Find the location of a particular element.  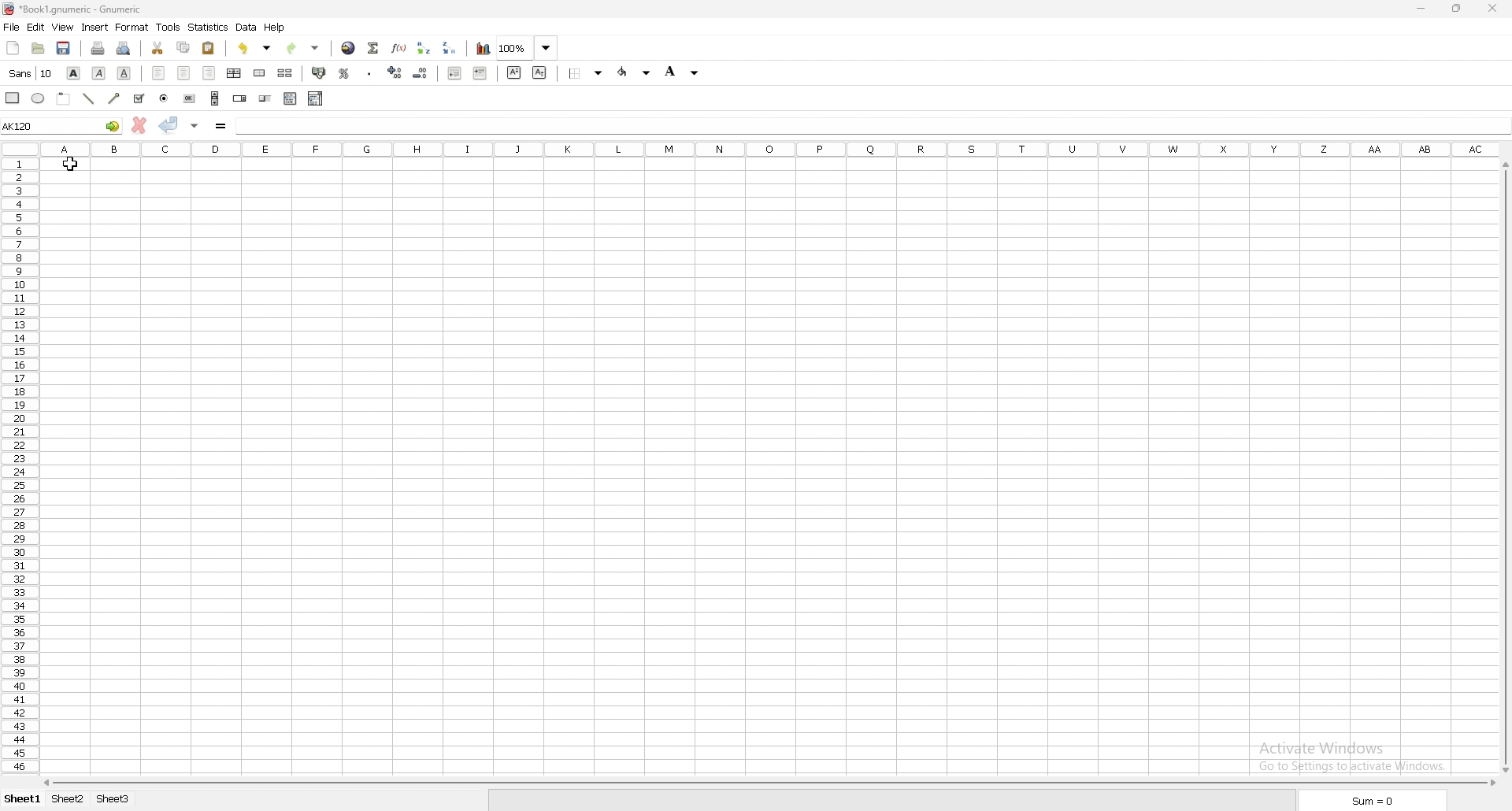

paste is located at coordinates (209, 47).